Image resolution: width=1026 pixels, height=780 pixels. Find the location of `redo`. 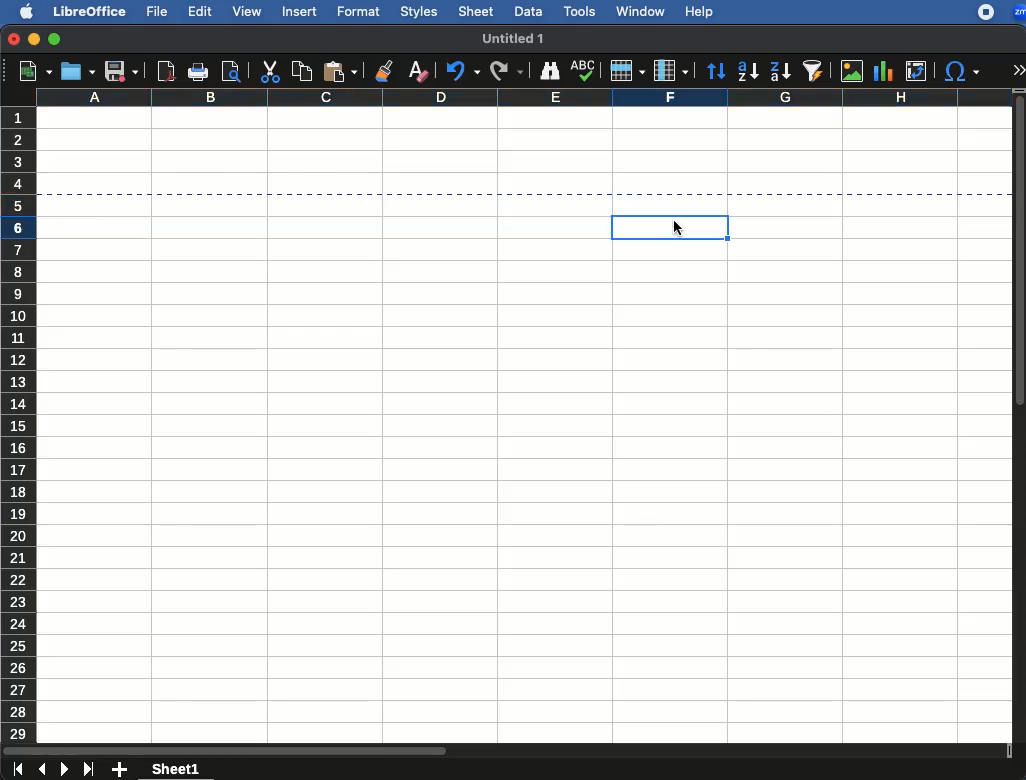

redo is located at coordinates (507, 70).